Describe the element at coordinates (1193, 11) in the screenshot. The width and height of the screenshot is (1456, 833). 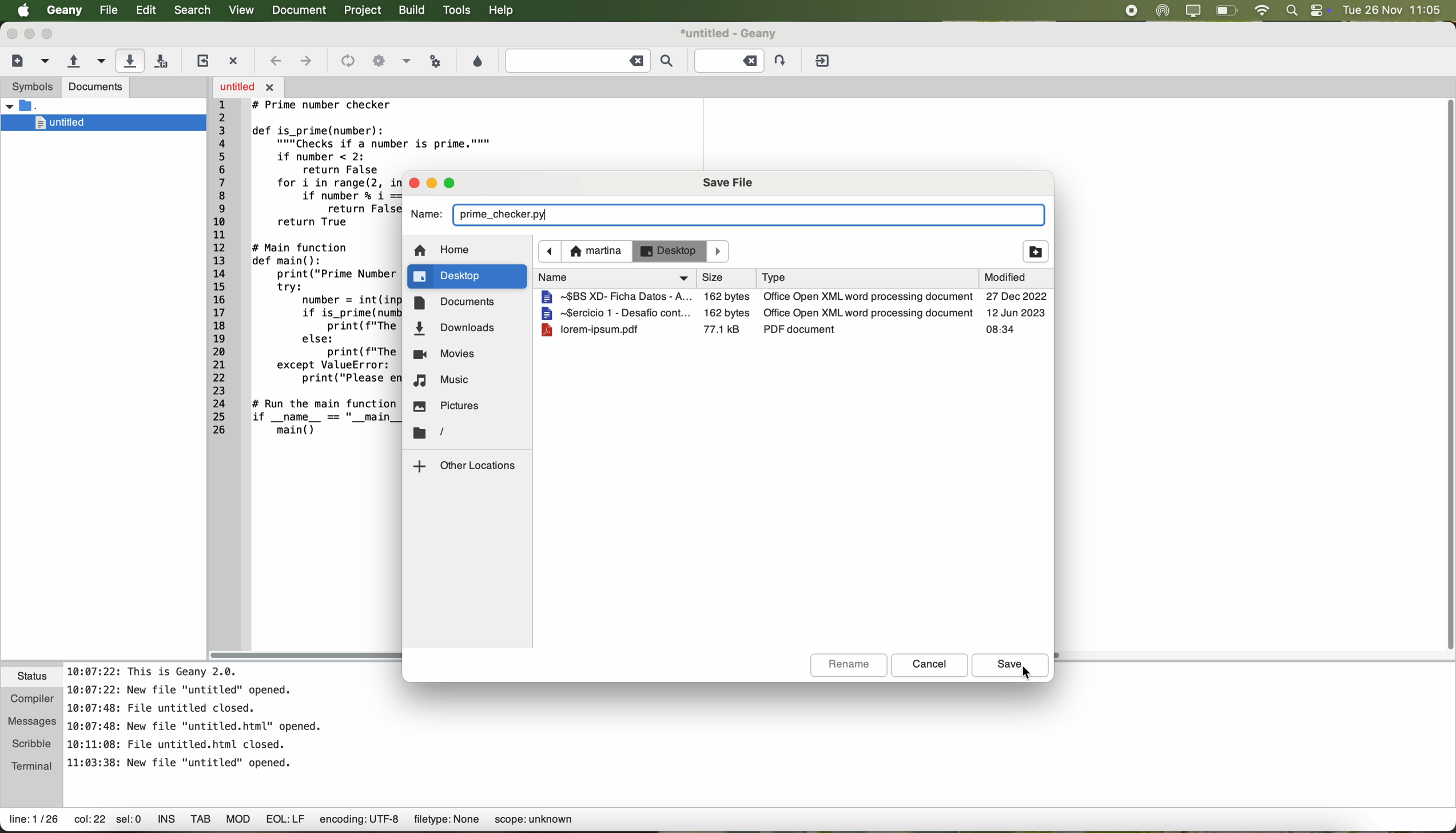
I see `screen` at that location.